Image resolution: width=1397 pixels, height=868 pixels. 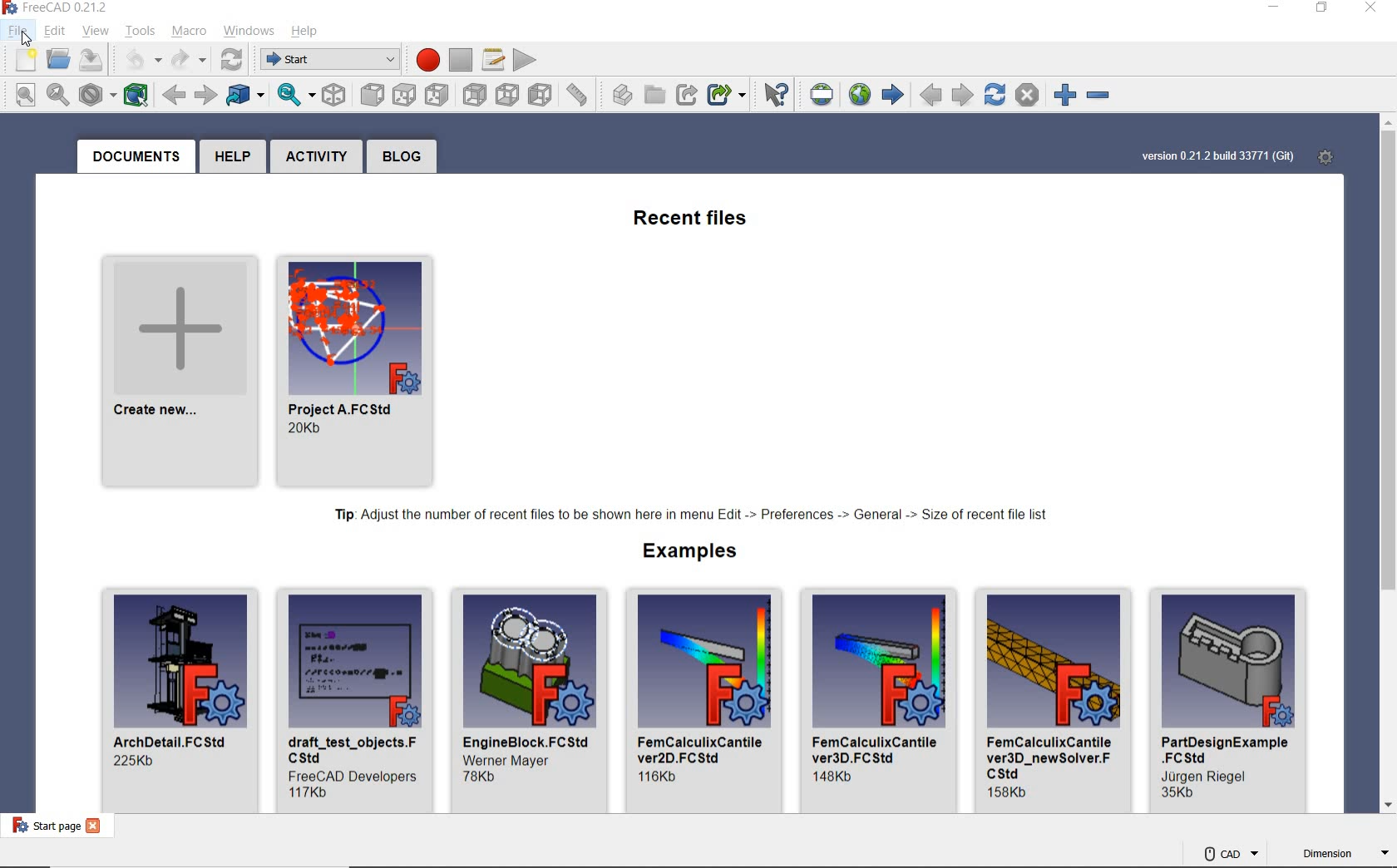 What do you see at coordinates (295, 96) in the screenshot?
I see `SYNC VIEW` at bounding box center [295, 96].